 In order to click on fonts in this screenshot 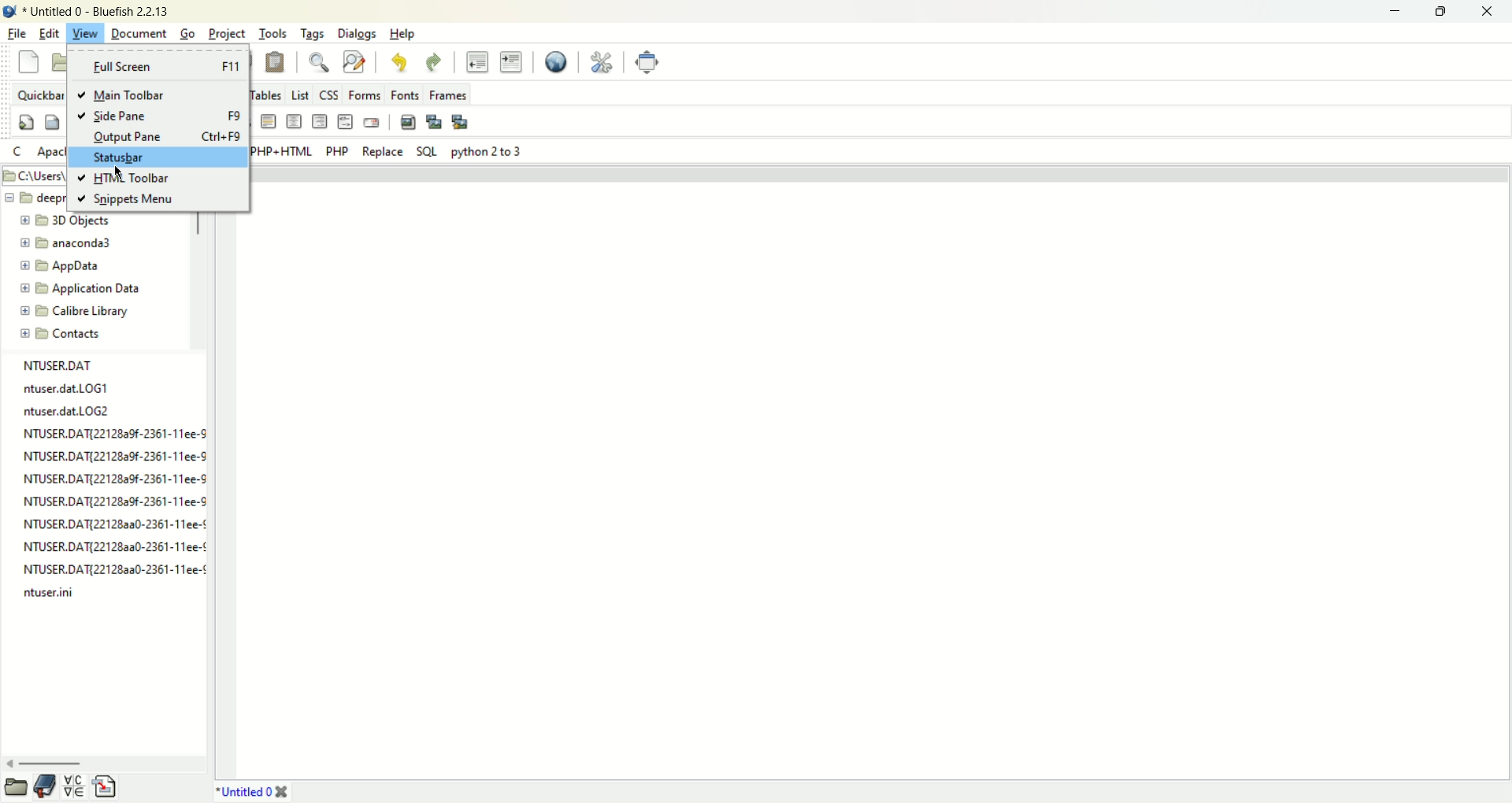, I will do `click(402, 96)`.